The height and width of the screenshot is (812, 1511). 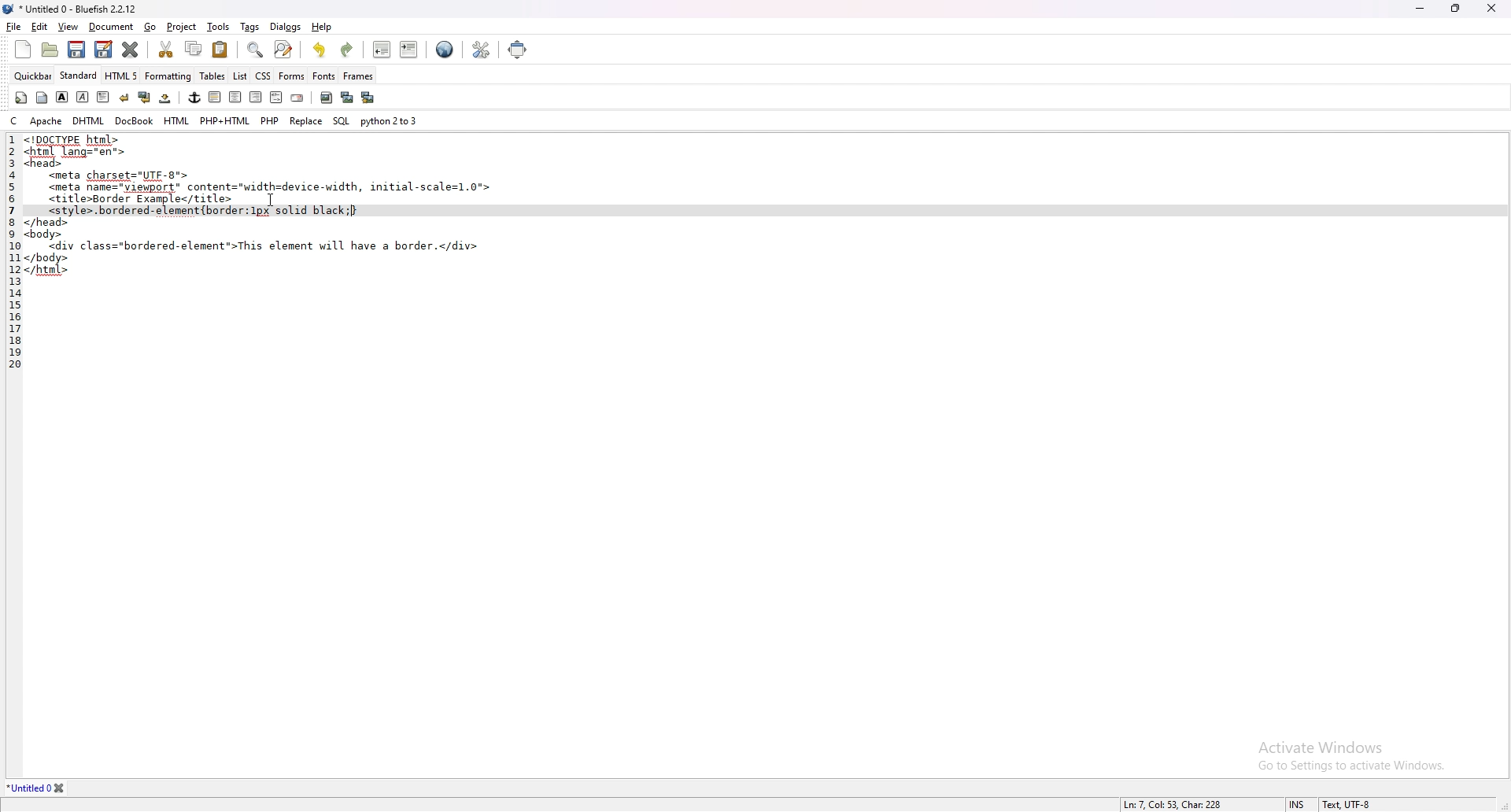 I want to click on go, so click(x=150, y=27).